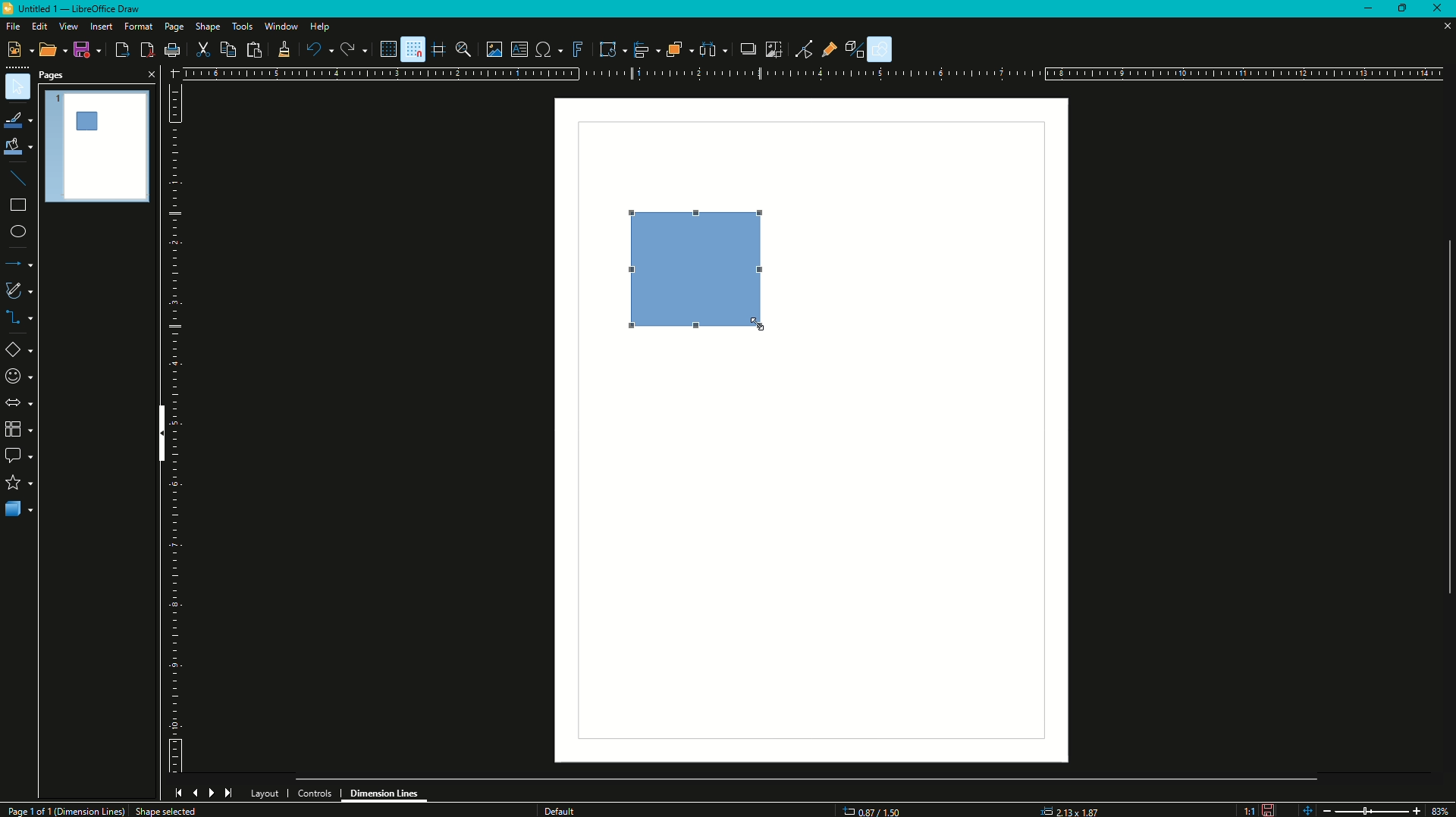 The width and height of the screenshot is (1456, 817). What do you see at coordinates (1441, 28) in the screenshot?
I see `Close Sheet` at bounding box center [1441, 28].